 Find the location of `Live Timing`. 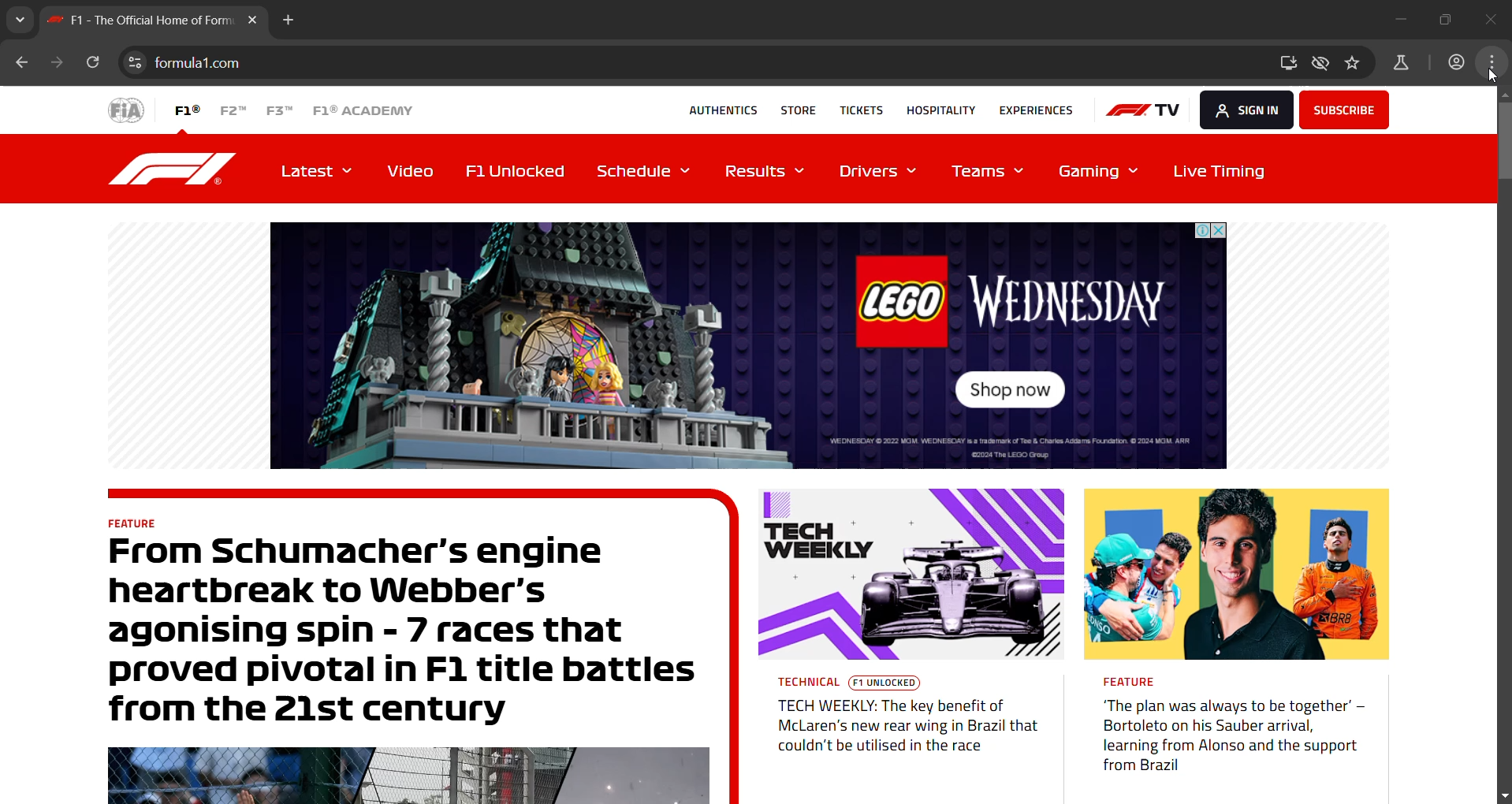

Live Timing is located at coordinates (1218, 174).